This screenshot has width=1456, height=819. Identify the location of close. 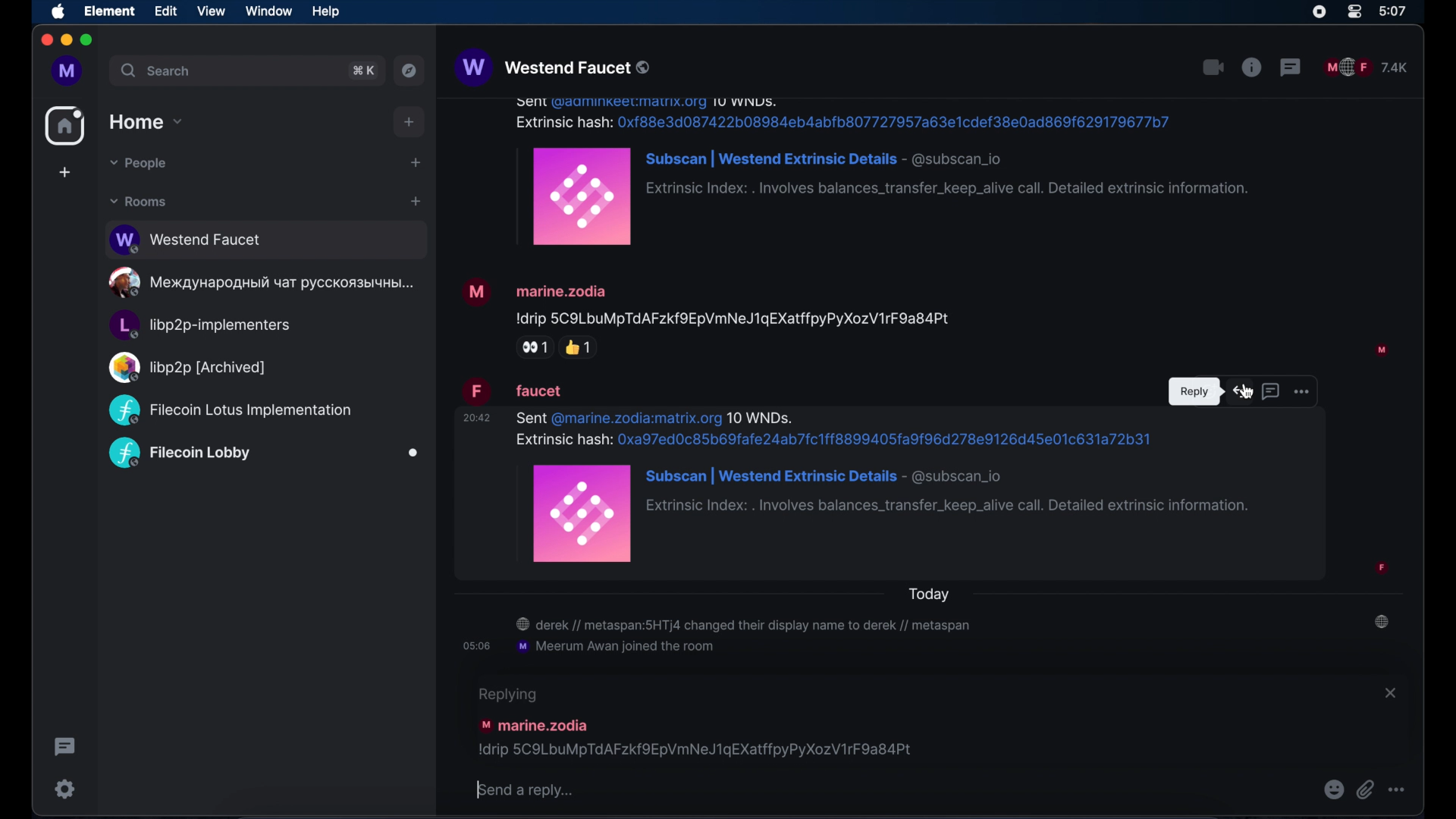
(1392, 694).